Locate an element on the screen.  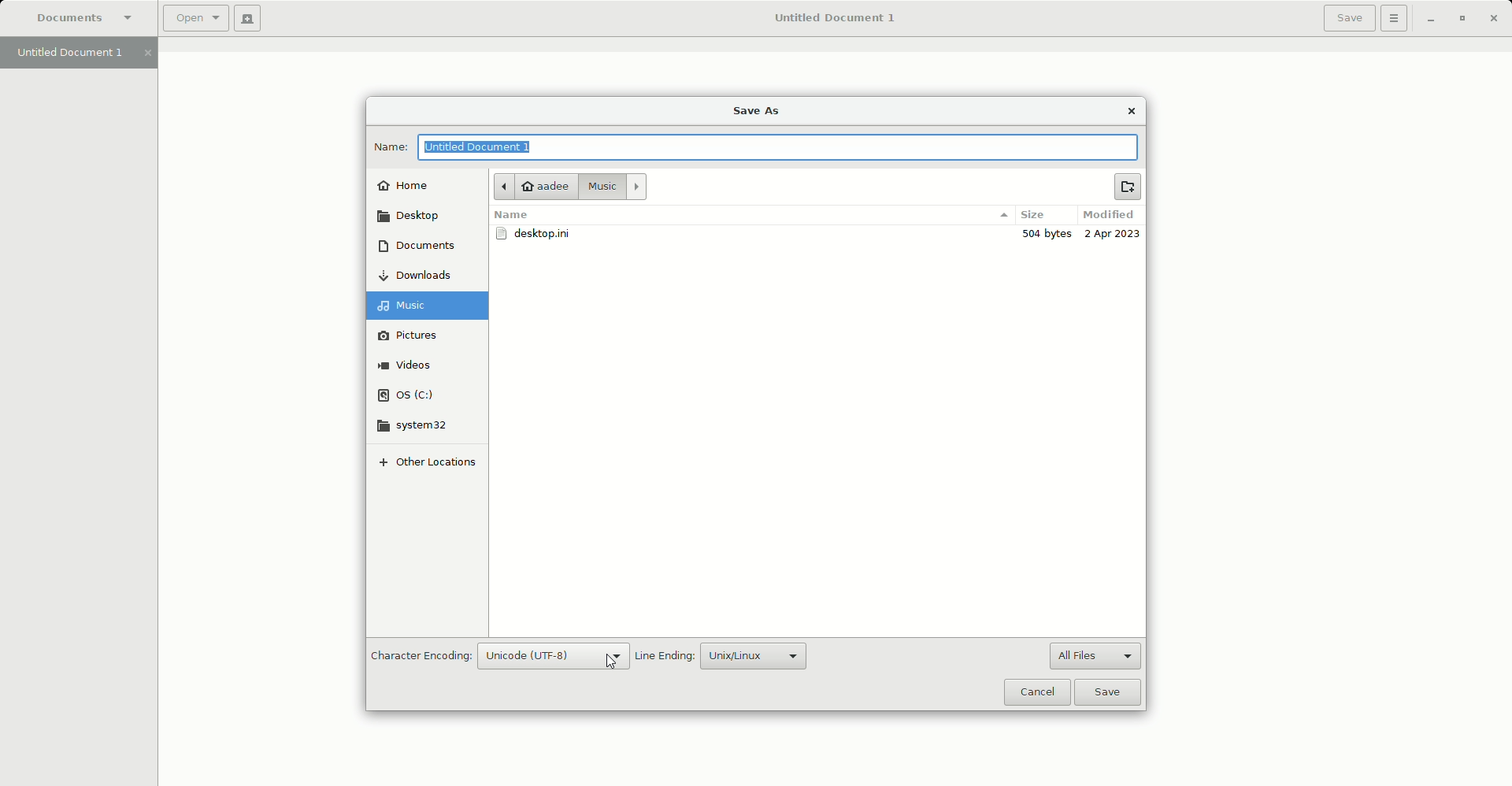
Character Encoding is located at coordinates (421, 657).